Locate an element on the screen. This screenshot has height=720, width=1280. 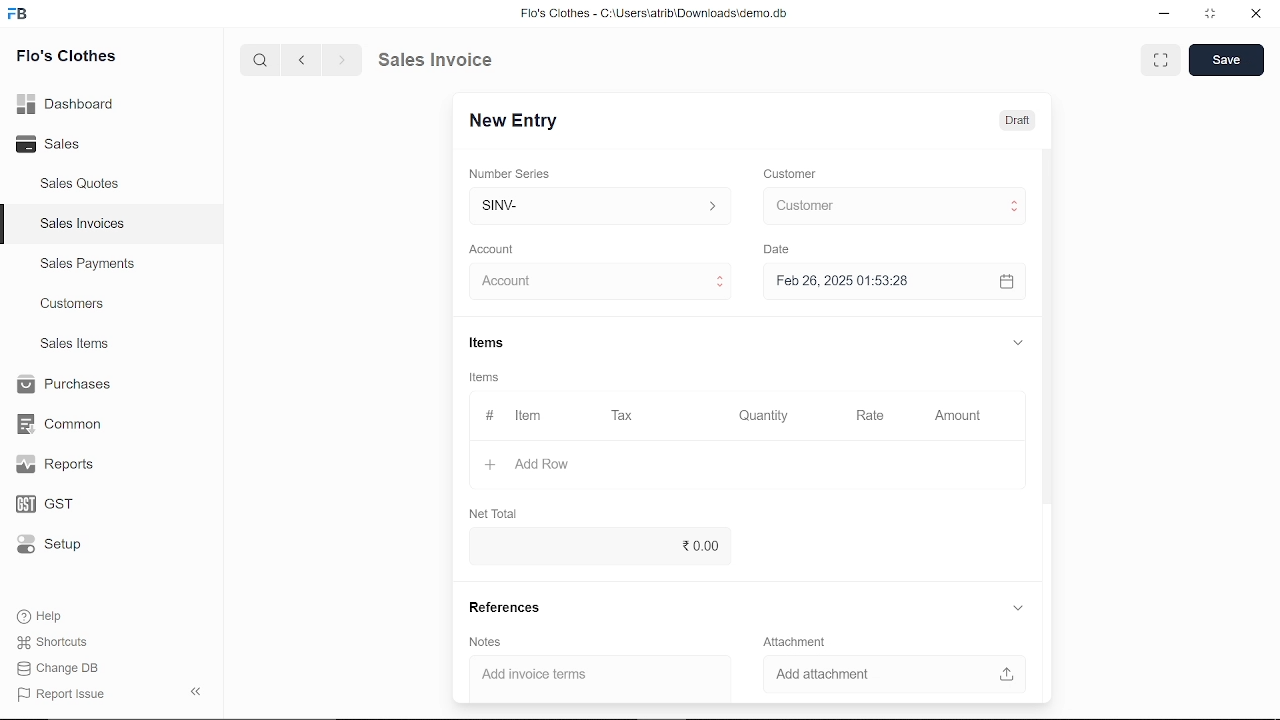
Items is located at coordinates (485, 345).